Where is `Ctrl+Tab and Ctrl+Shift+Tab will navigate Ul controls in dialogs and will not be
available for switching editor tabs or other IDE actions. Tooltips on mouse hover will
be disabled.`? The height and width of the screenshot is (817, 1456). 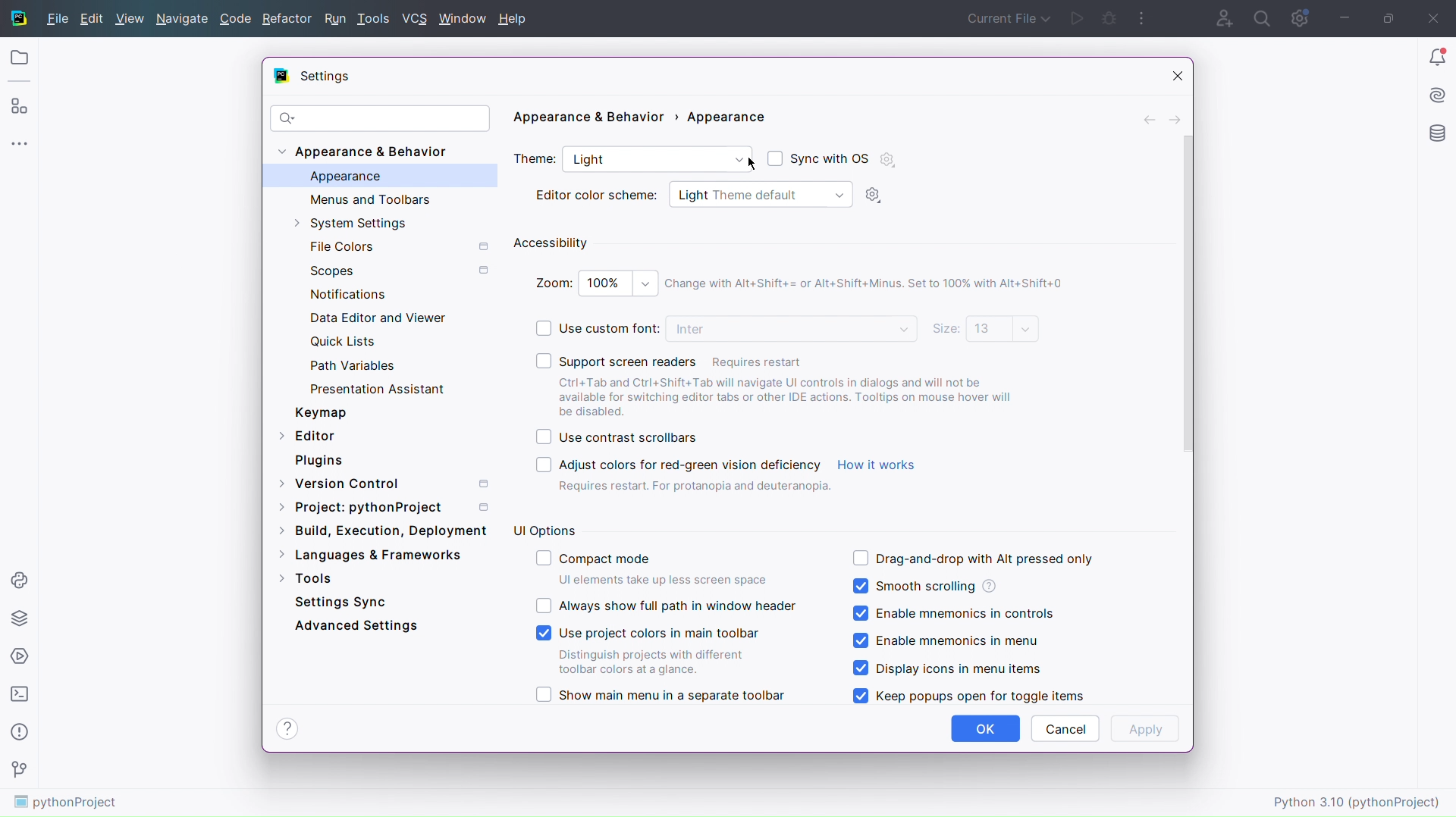 Ctrl+Tab and Ctrl+Shift+Tab will navigate Ul controls in dialogs and will not be
available for switching editor tabs or other IDE actions. Tooltips on mouse hover will
be disabled. is located at coordinates (793, 396).